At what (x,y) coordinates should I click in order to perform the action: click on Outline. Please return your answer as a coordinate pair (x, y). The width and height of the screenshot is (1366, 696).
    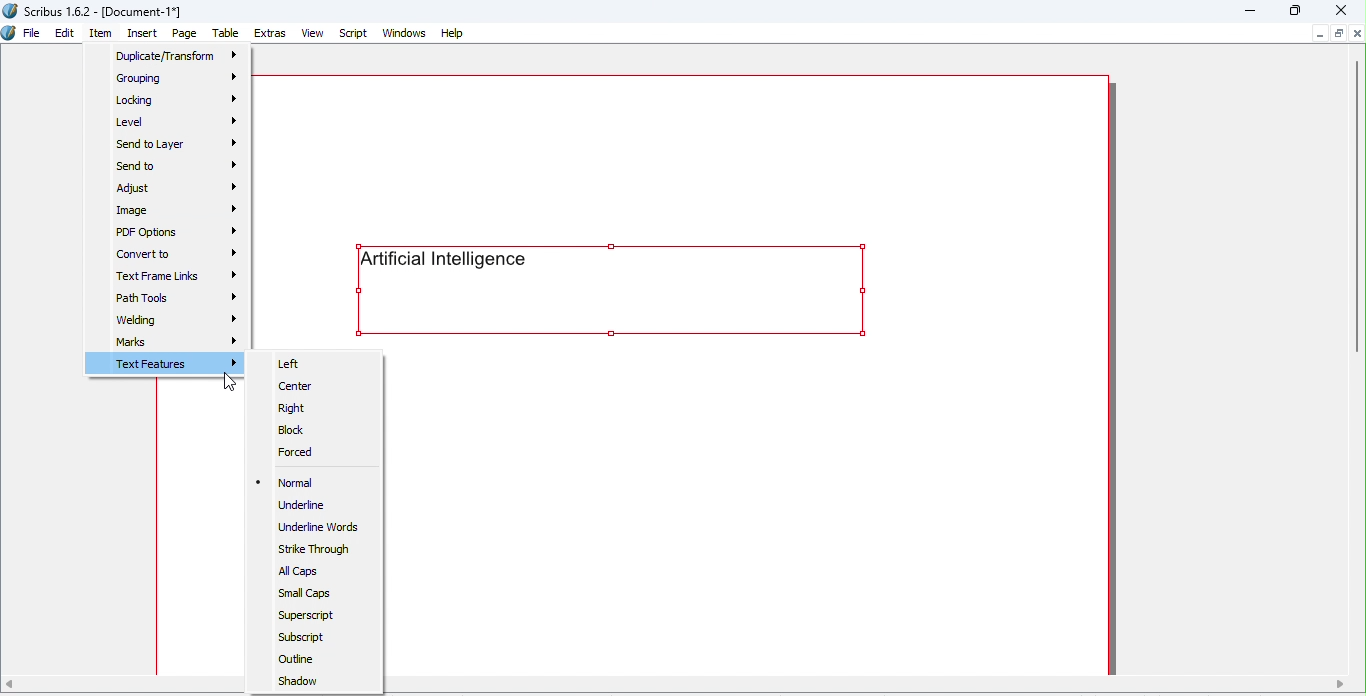
    Looking at the image, I should click on (299, 660).